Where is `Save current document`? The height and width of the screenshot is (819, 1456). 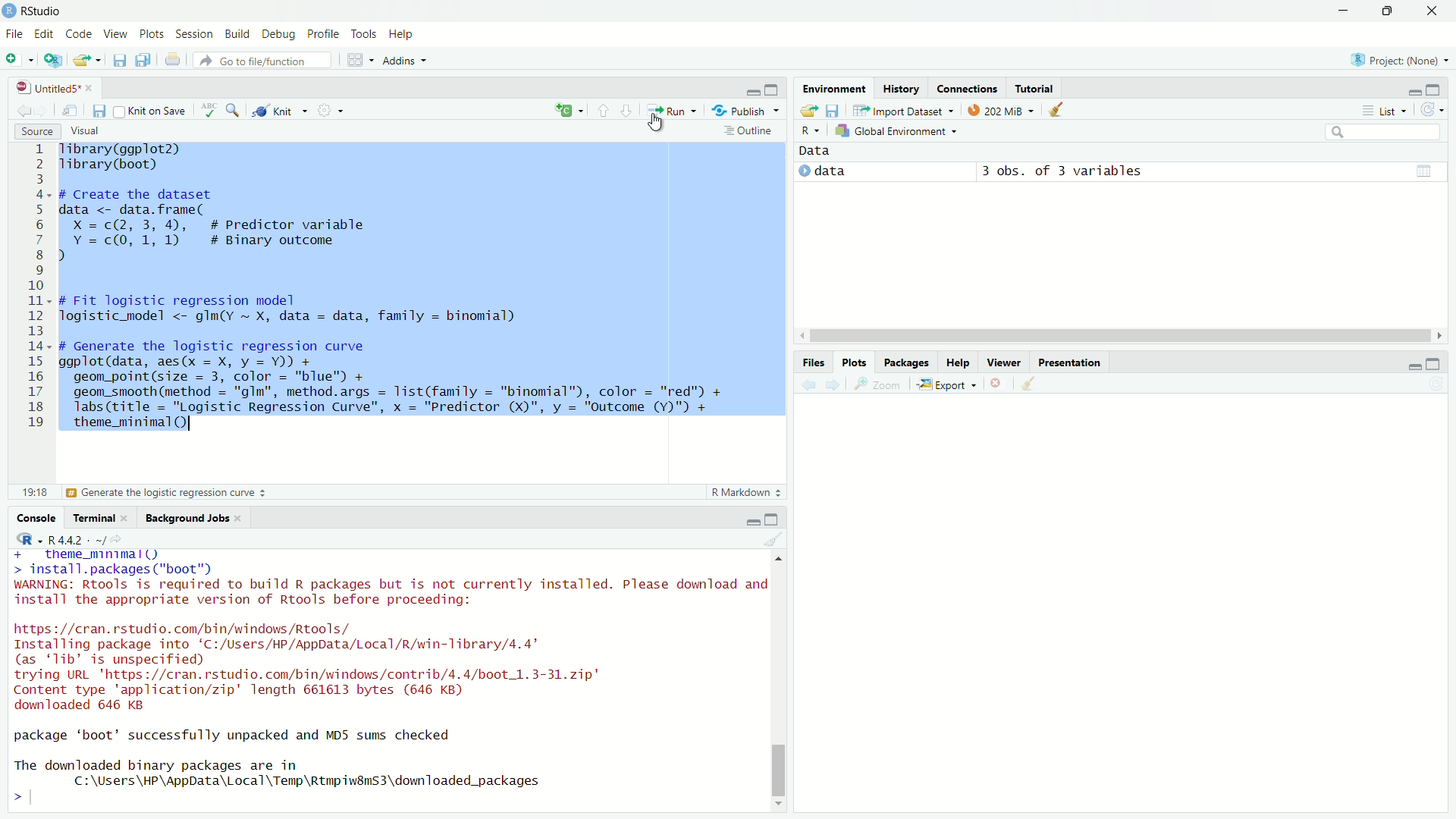 Save current document is located at coordinates (119, 59).